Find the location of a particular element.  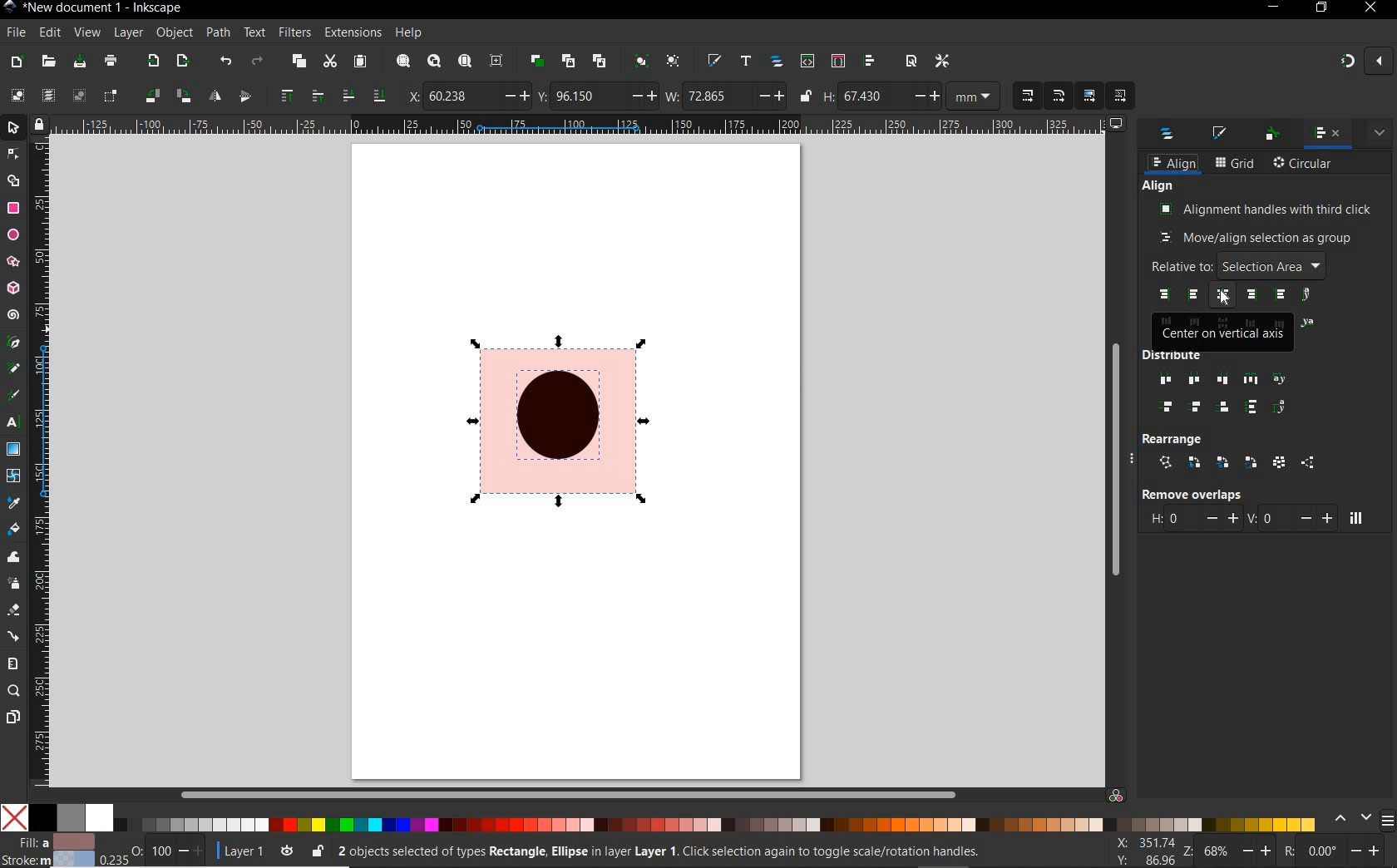

layer 1 is located at coordinates (257, 850).